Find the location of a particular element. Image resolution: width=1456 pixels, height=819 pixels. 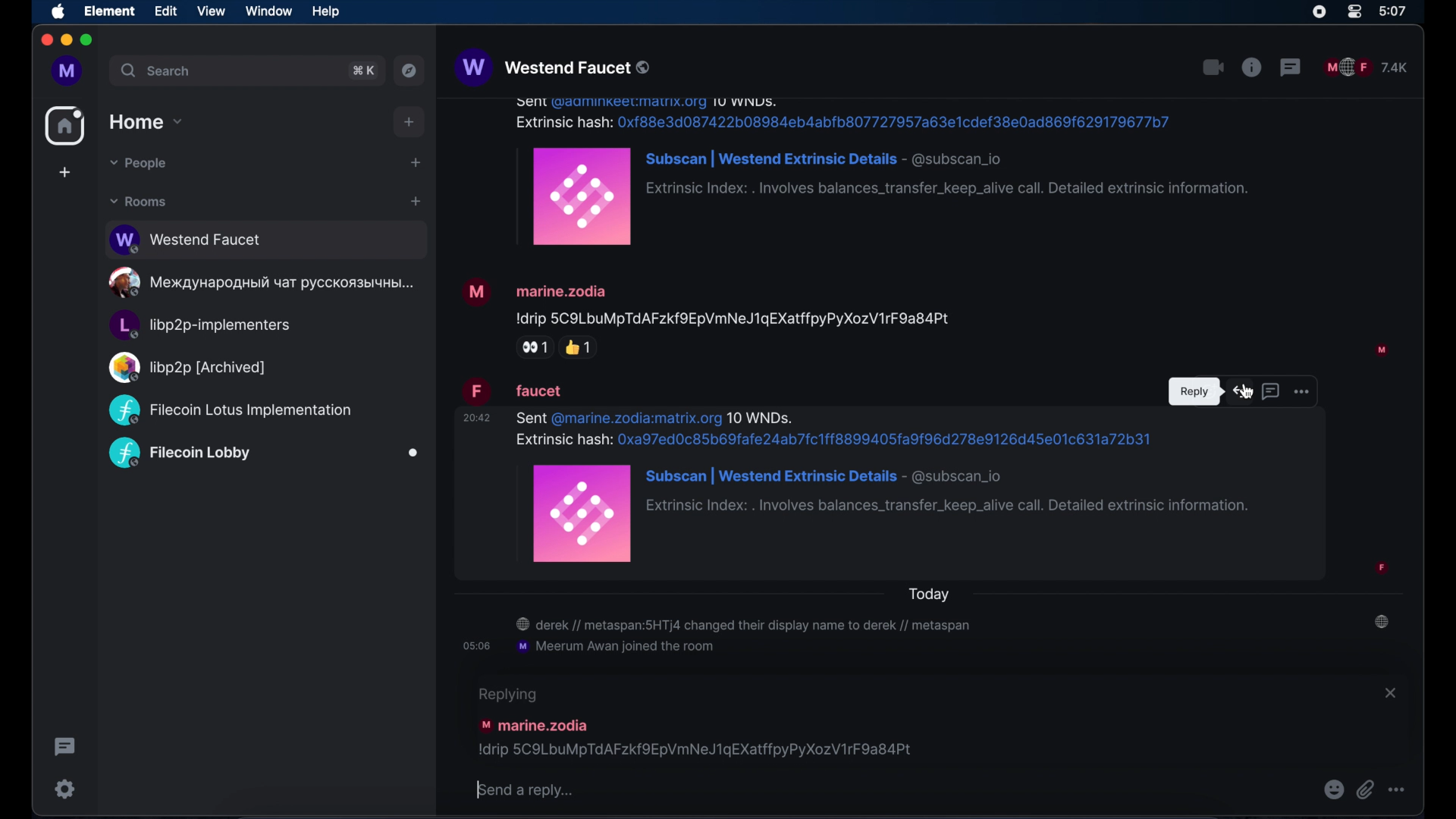

close is located at coordinates (45, 40).